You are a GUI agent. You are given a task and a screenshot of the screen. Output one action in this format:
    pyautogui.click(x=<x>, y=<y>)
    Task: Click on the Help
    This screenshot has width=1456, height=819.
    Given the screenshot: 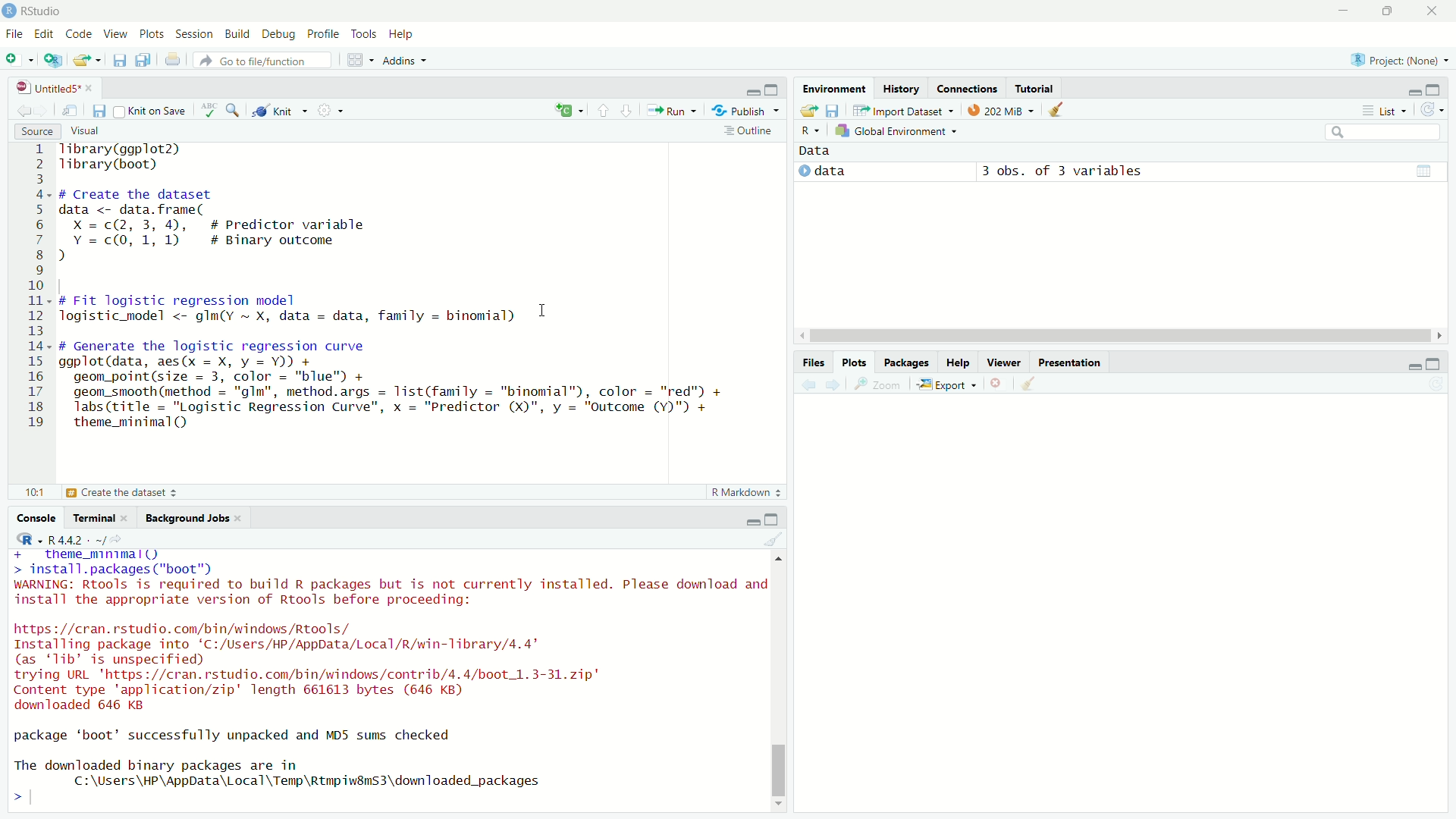 What is the action you would take?
    pyautogui.click(x=956, y=362)
    